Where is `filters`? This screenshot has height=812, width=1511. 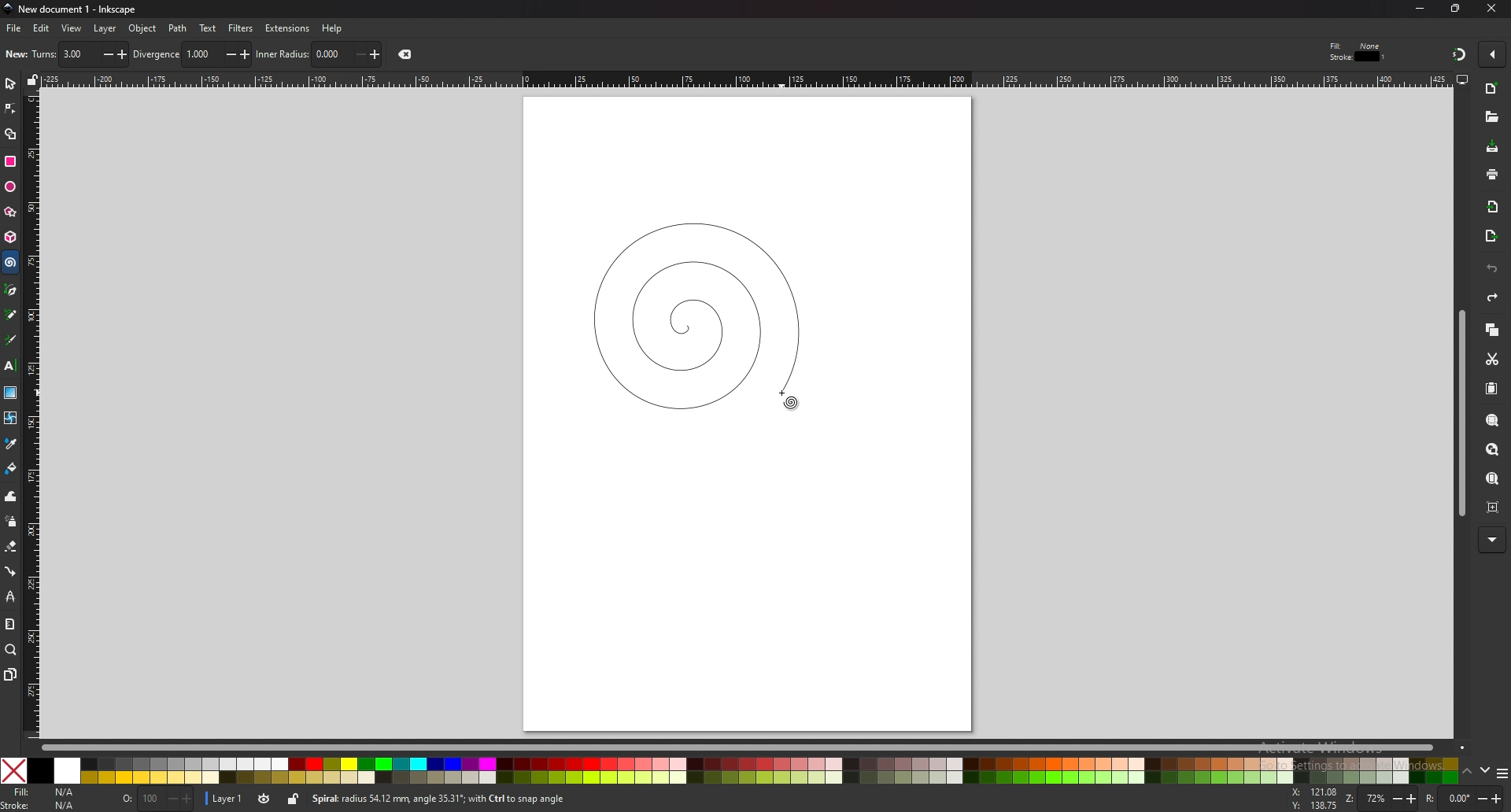
filters is located at coordinates (242, 28).